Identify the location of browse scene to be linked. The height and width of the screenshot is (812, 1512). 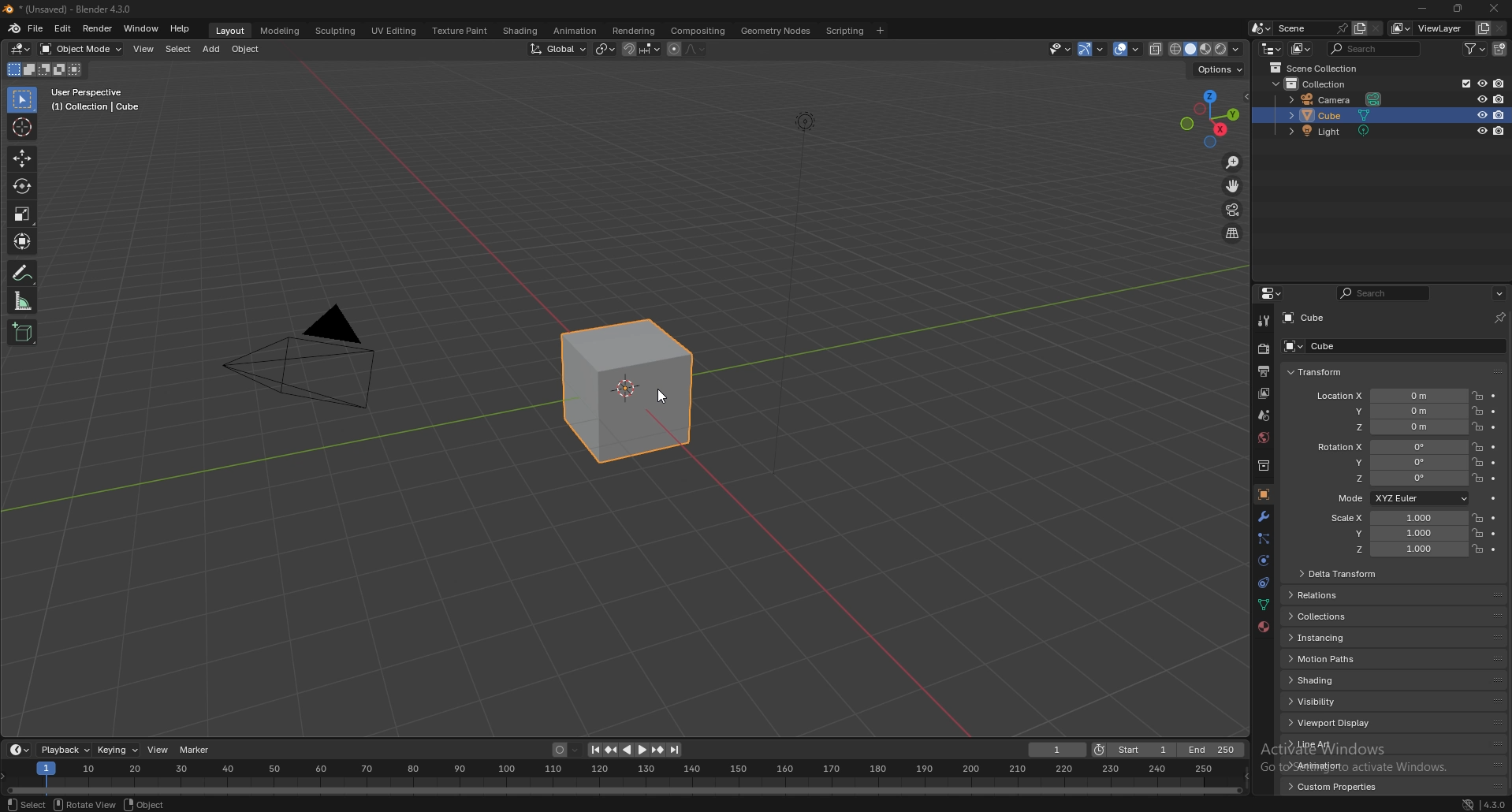
(1261, 28).